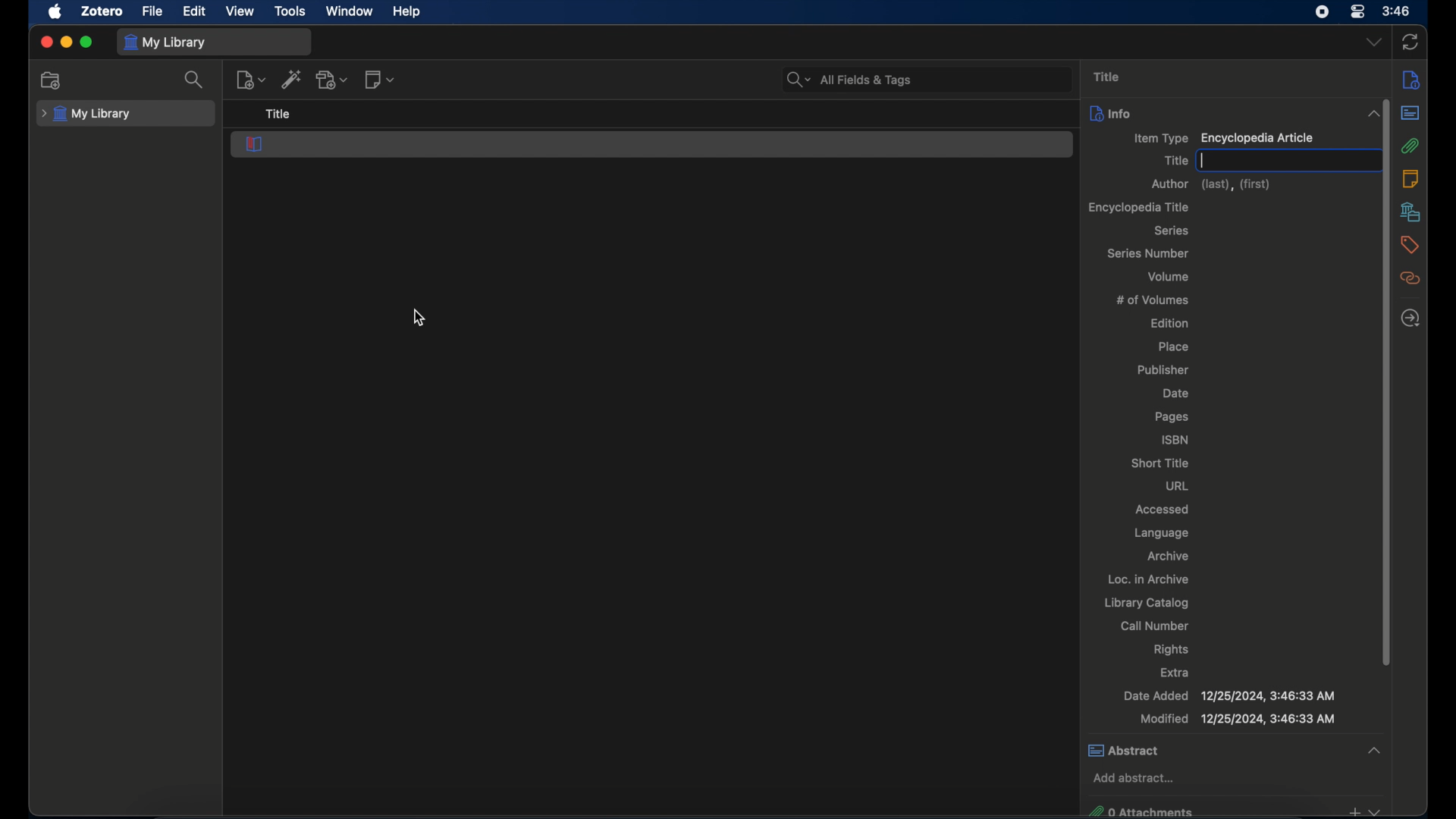 The height and width of the screenshot is (819, 1456). What do you see at coordinates (52, 80) in the screenshot?
I see `new collection` at bounding box center [52, 80].